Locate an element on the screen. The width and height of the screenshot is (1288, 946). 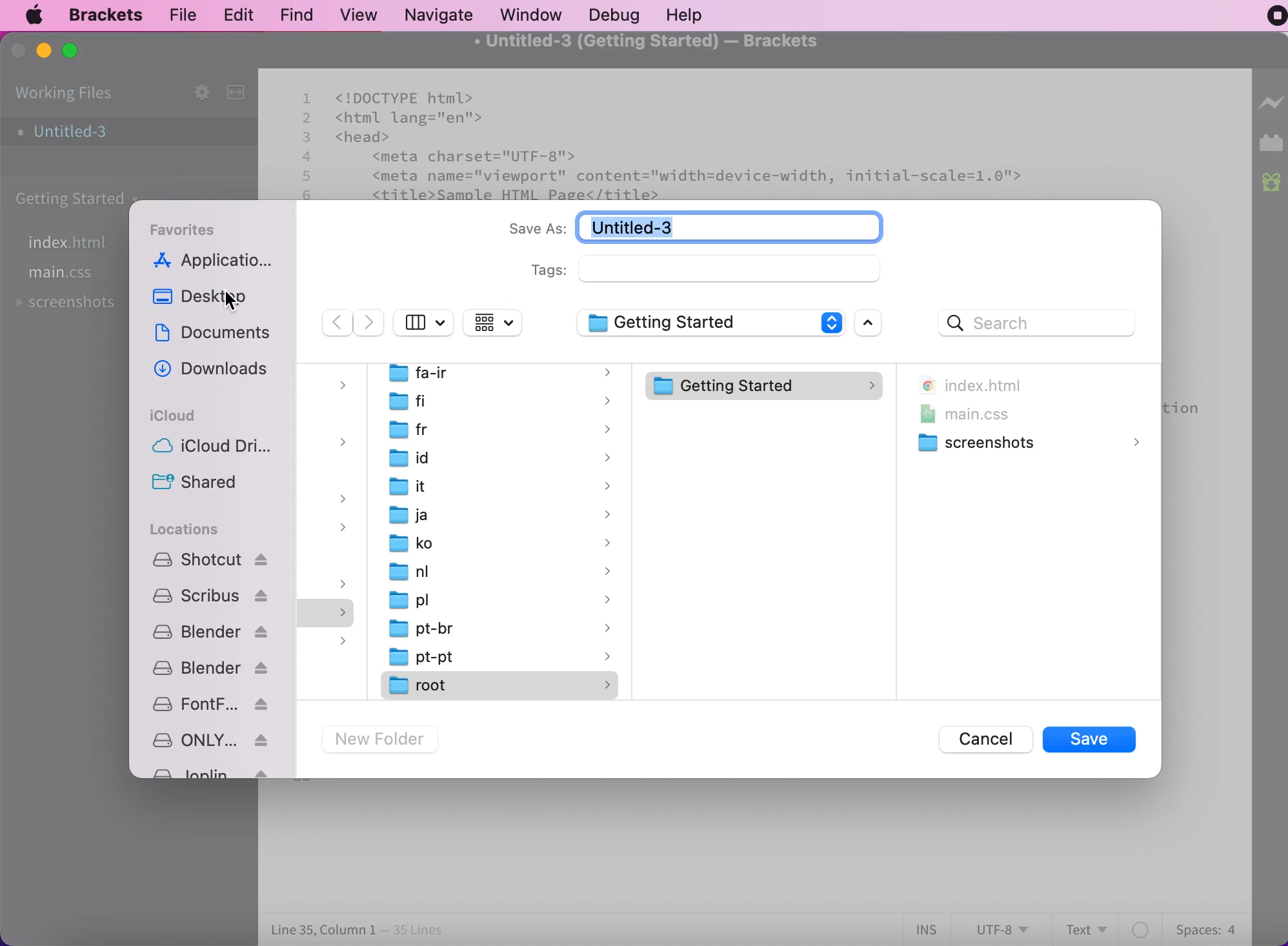
text is located at coordinates (1083, 928).